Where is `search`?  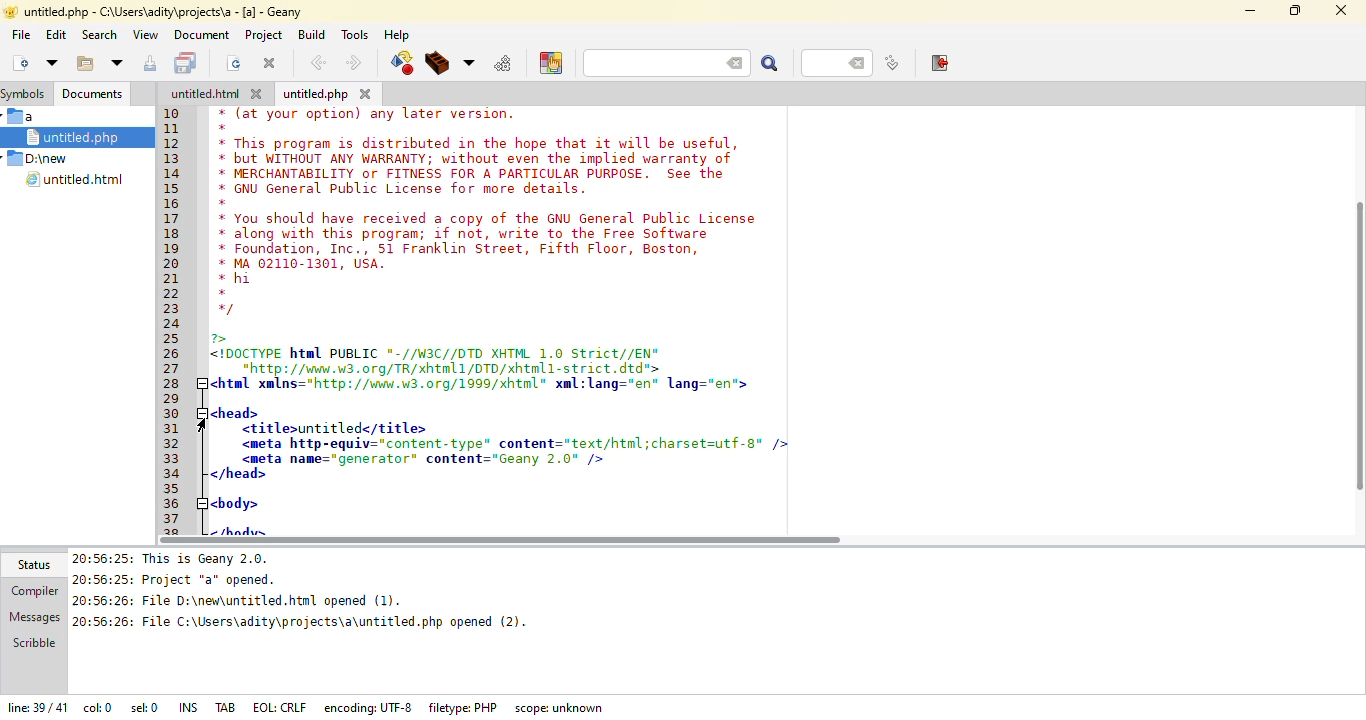 search is located at coordinates (770, 63).